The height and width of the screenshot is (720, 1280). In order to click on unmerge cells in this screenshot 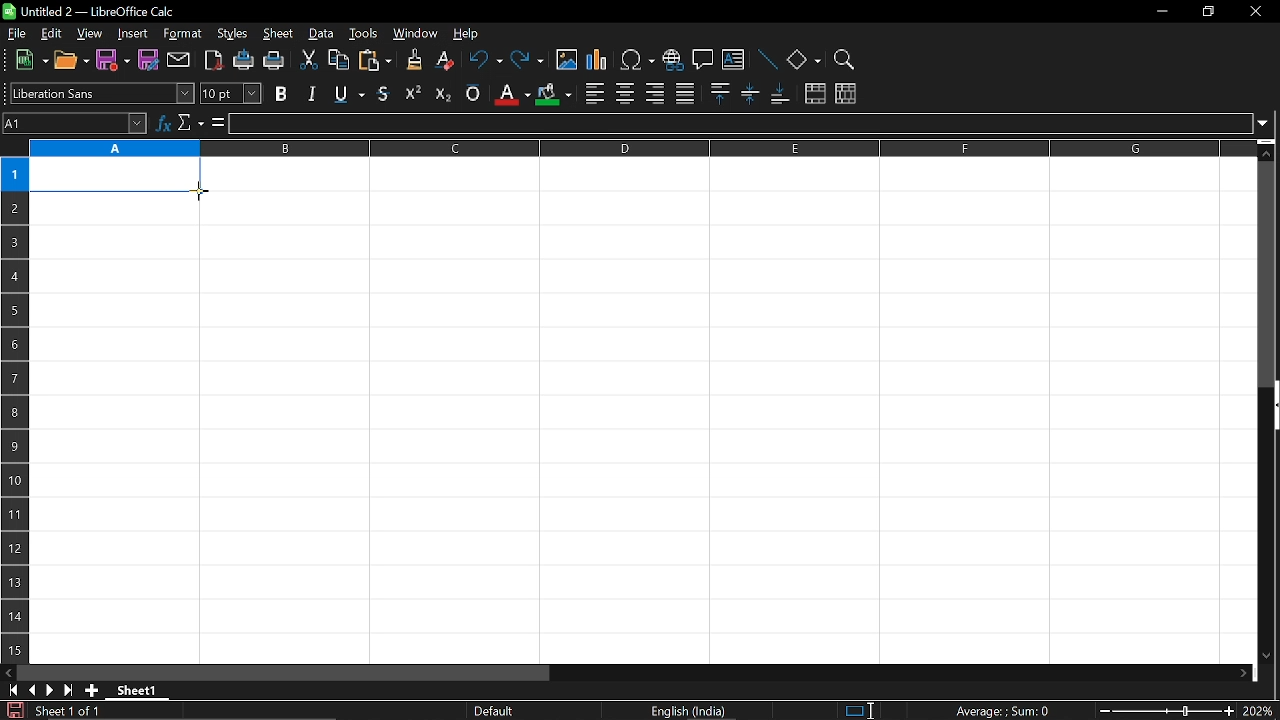, I will do `click(846, 95)`.